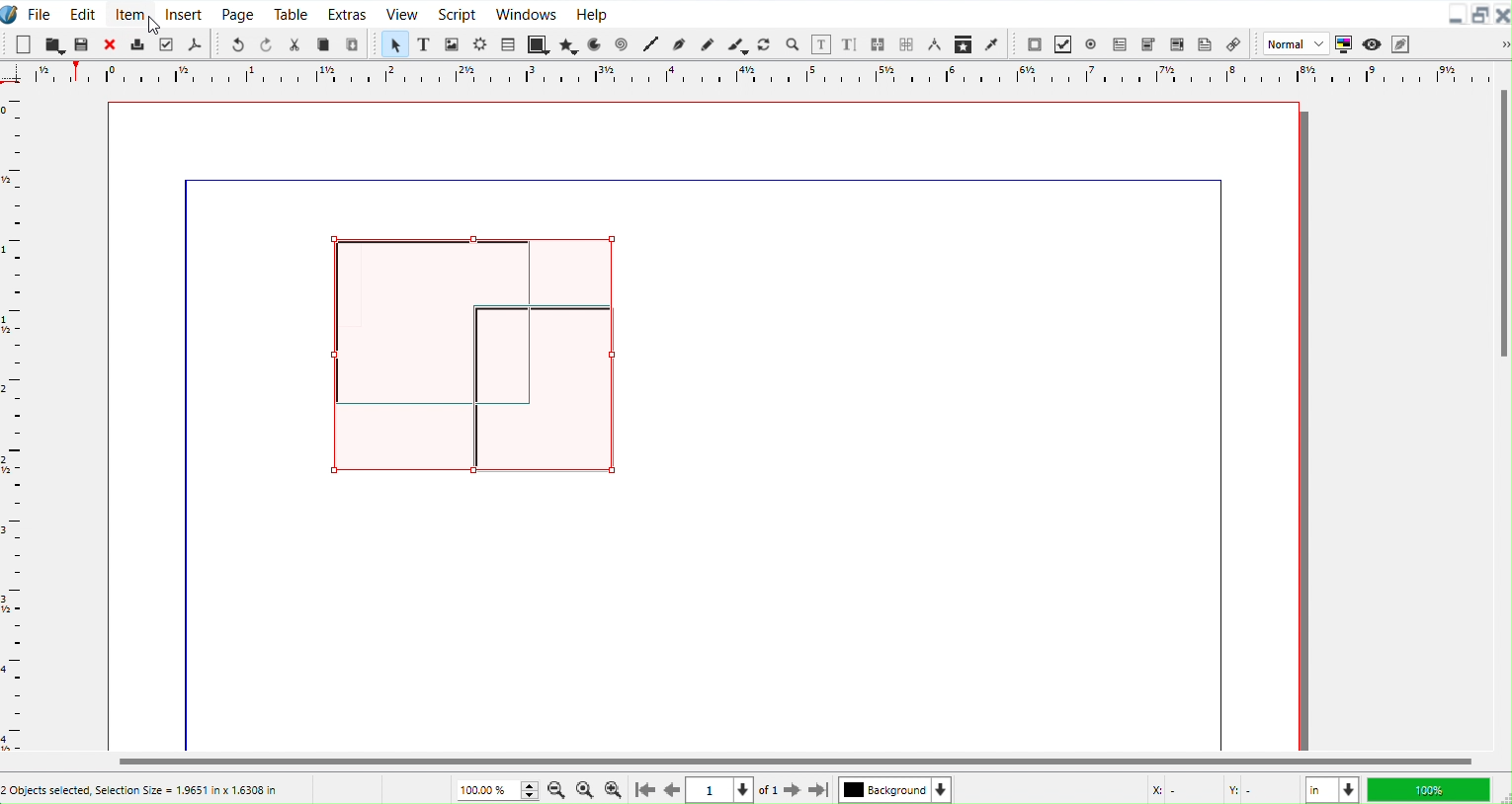 The width and height of the screenshot is (1512, 804). Describe the element at coordinates (294, 42) in the screenshot. I see `Cut` at that location.